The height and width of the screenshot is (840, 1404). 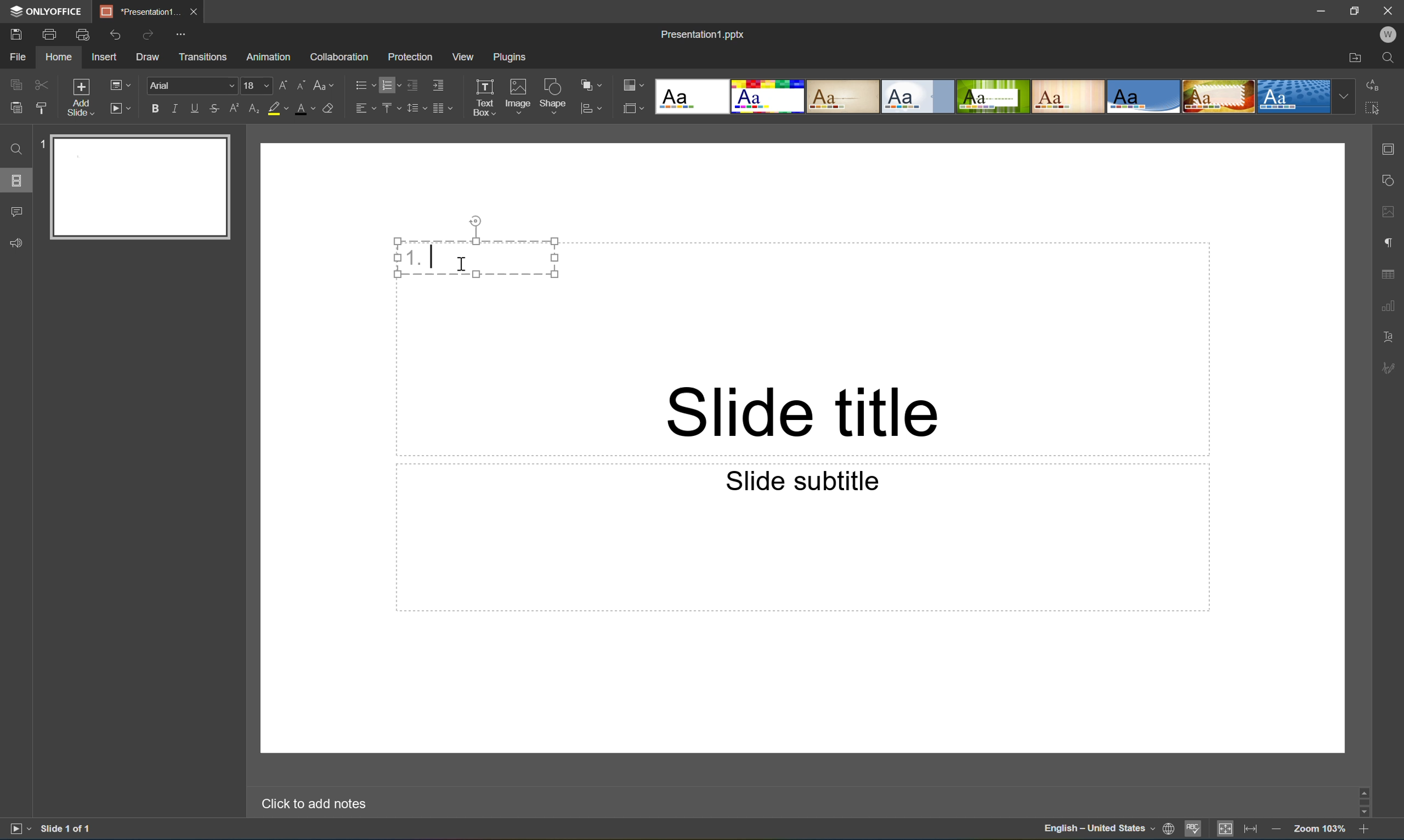 What do you see at coordinates (16, 108) in the screenshot?
I see `Paste` at bounding box center [16, 108].